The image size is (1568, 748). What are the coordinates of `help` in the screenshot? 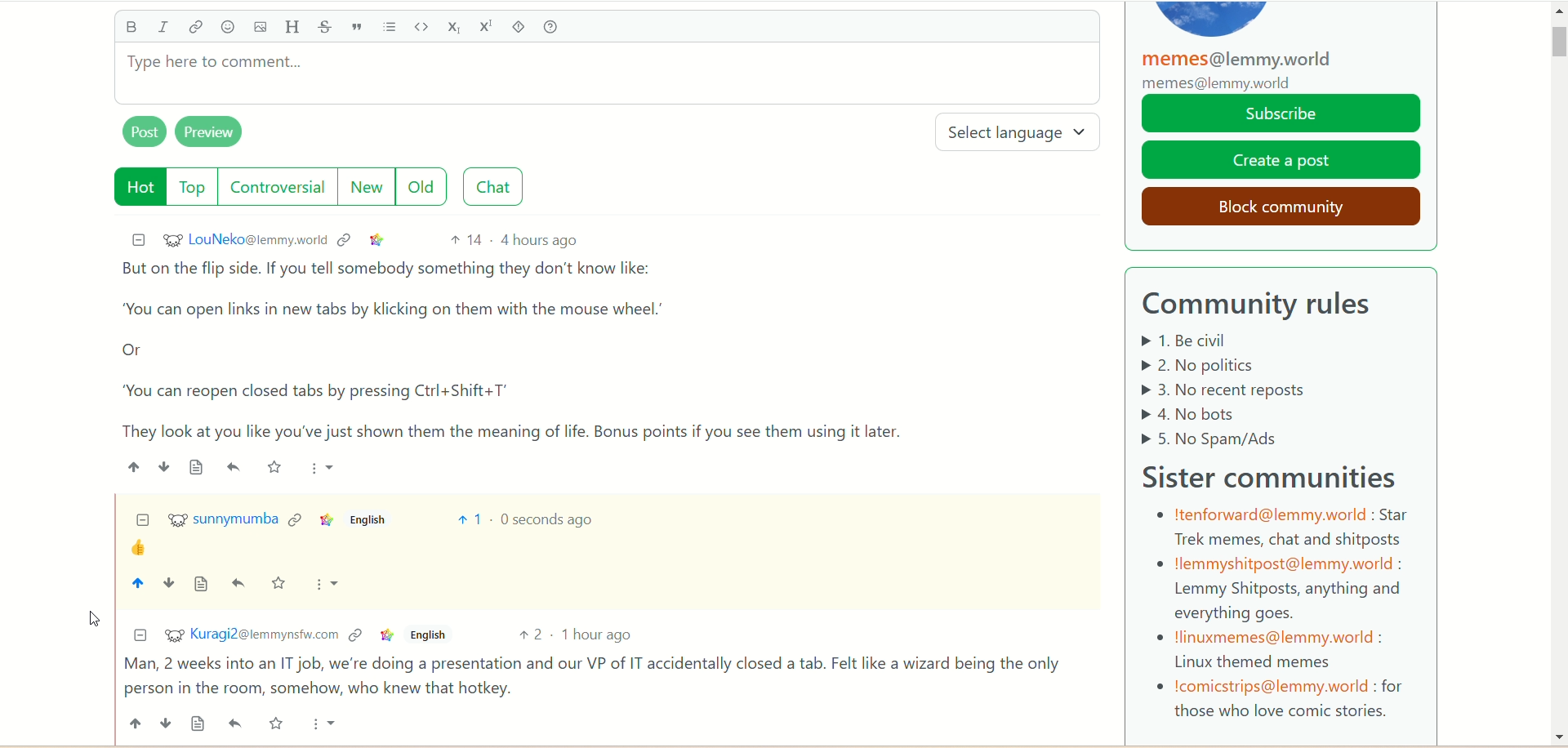 It's located at (560, 28).